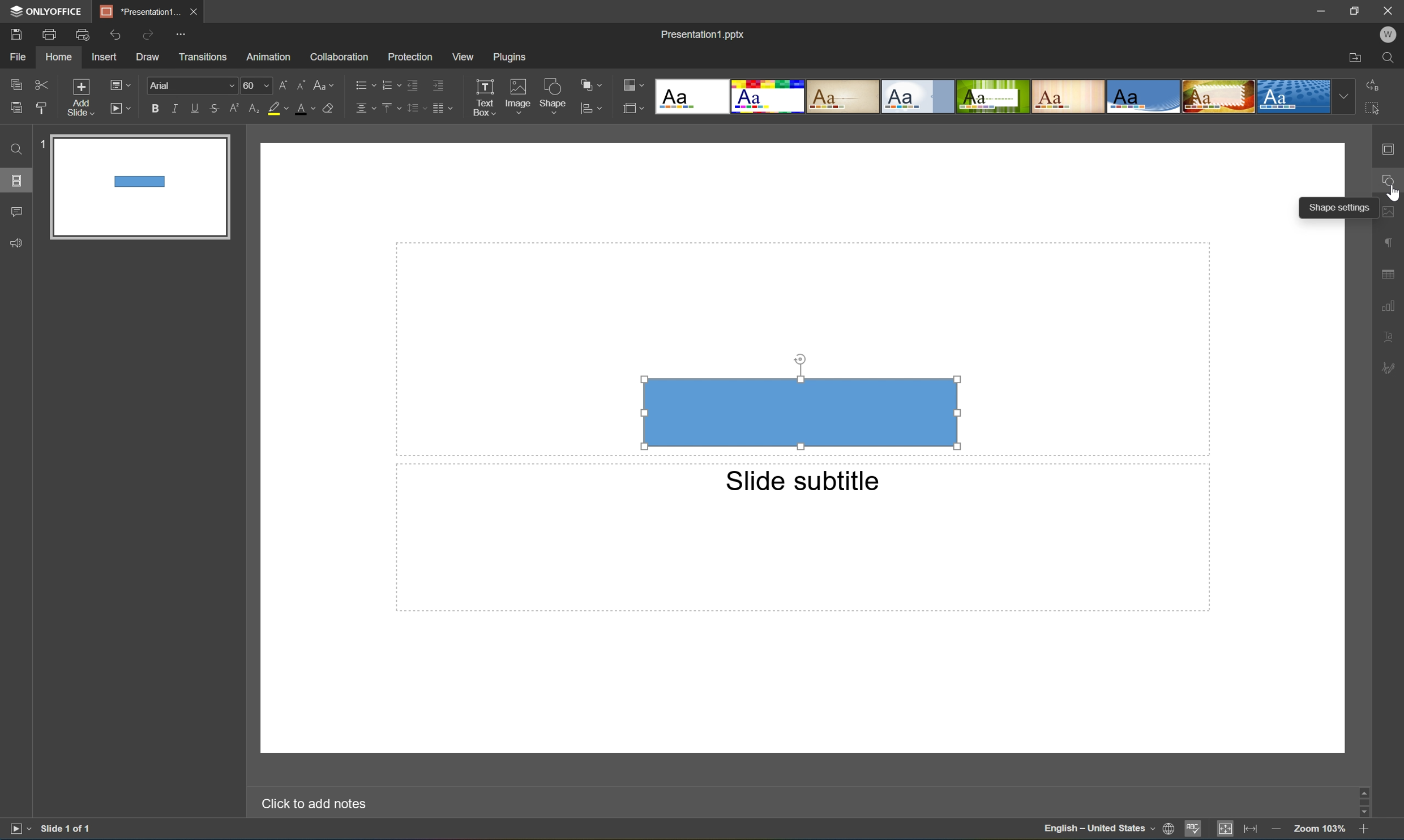  Describe the element at coordinates (461, 55) in the screenshot. I see `View` at that location.